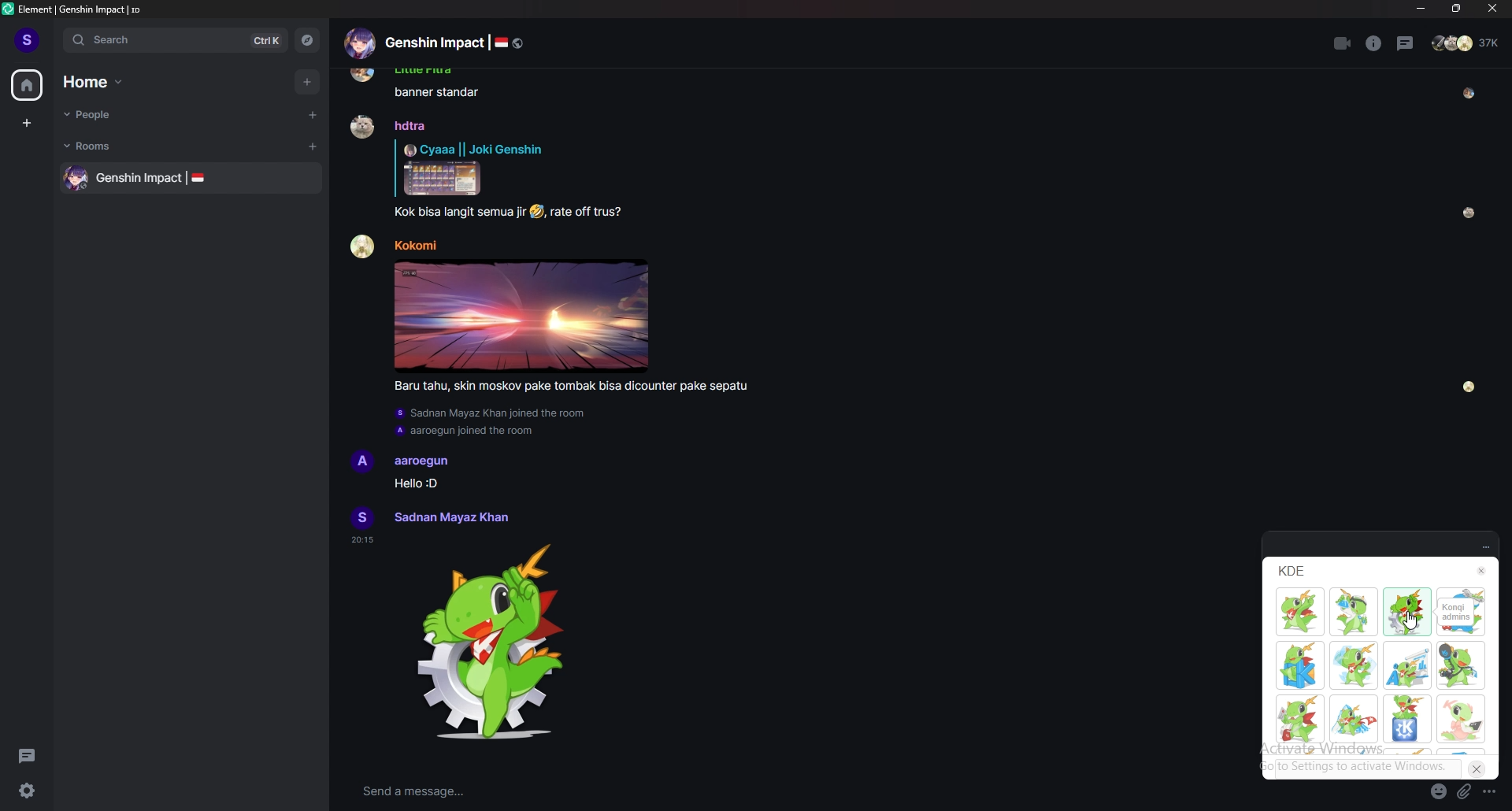 The image size is (1512, 811). What do you see at coordinates (1368, 768) in the screenshot?
I see `input box` at bounding box center [1368, 768].